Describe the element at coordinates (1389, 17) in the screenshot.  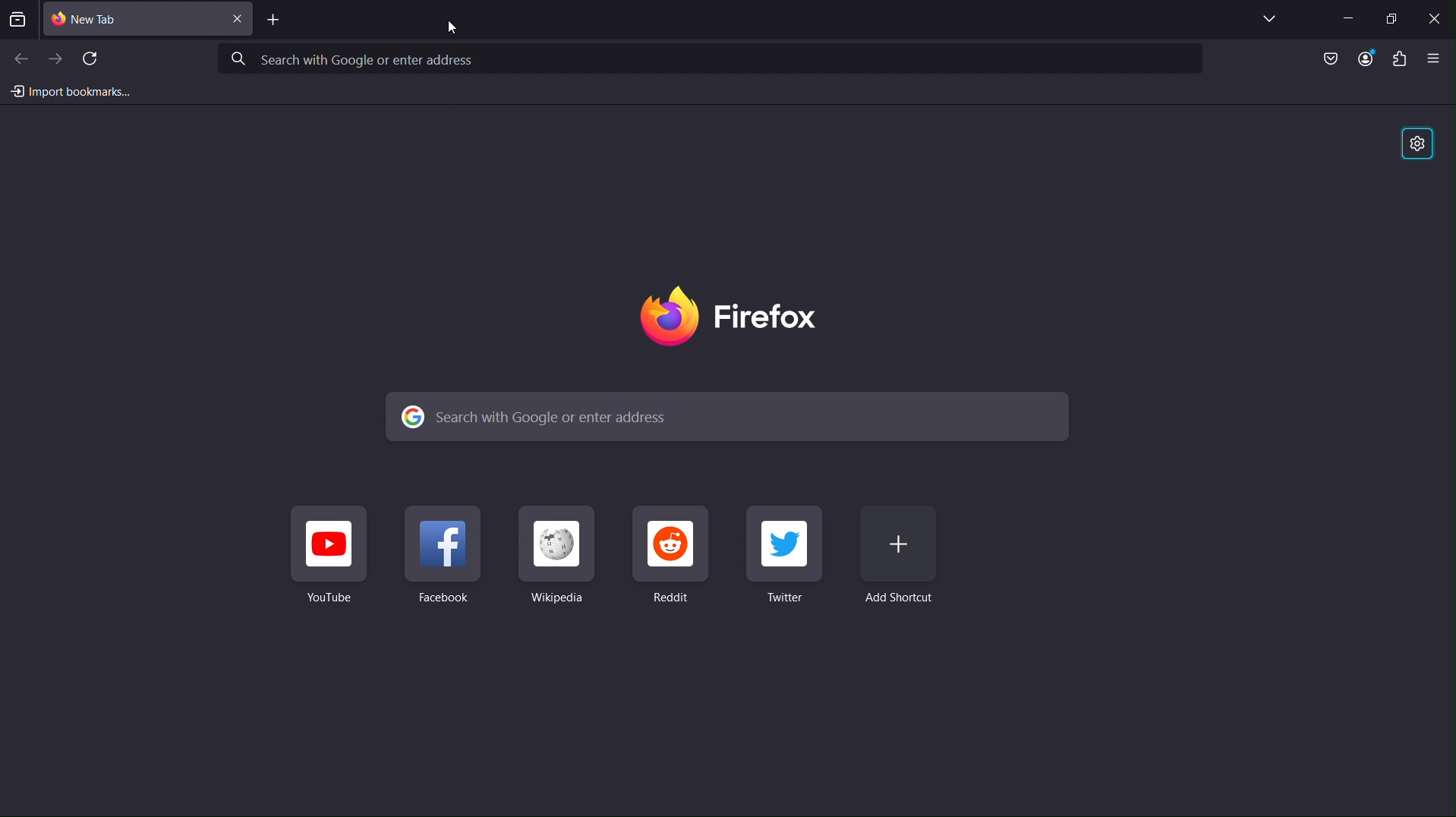
I see `Maximize` at that location.